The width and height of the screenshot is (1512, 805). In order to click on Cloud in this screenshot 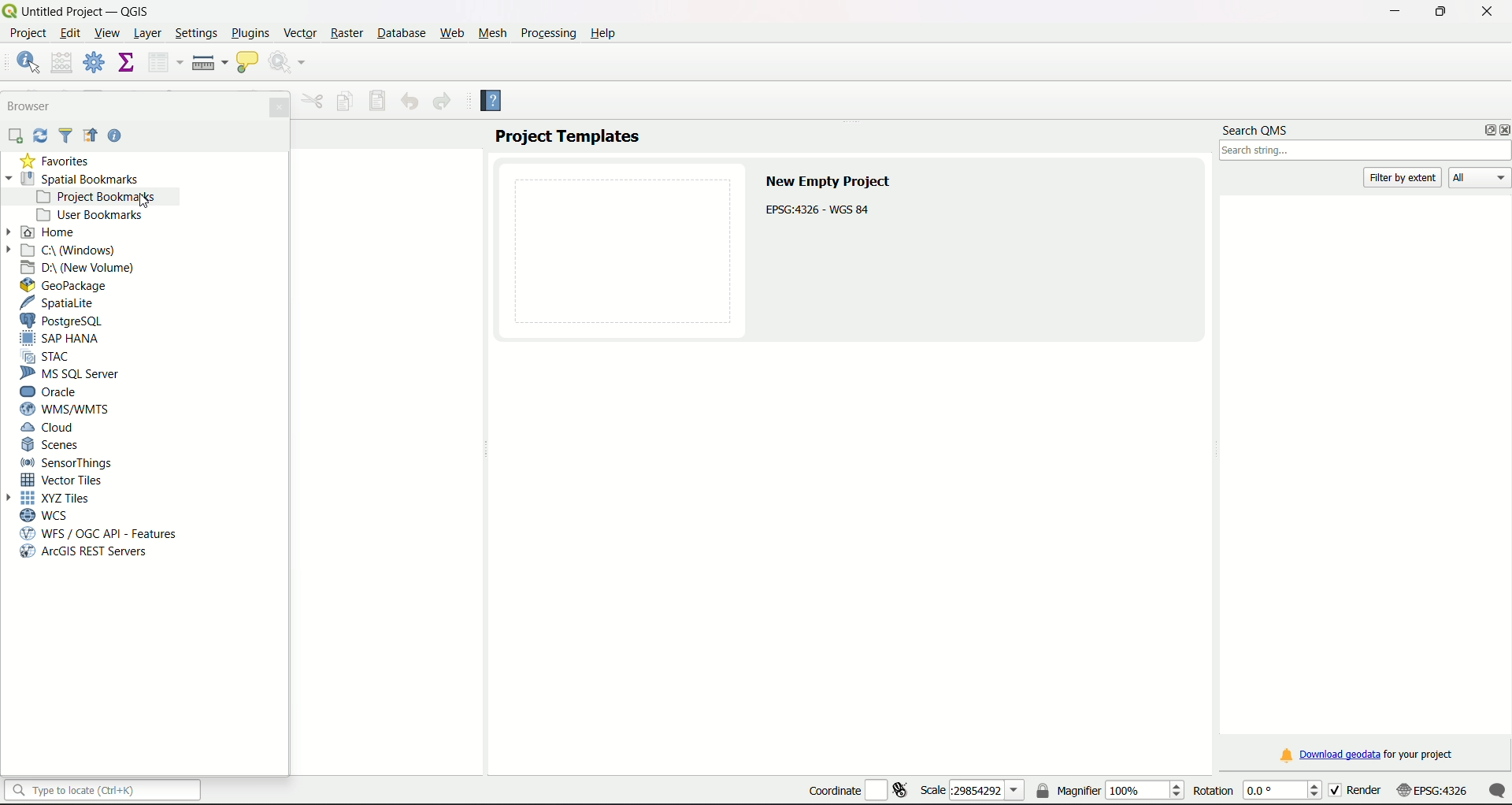, I will do `click(49, 428)`.